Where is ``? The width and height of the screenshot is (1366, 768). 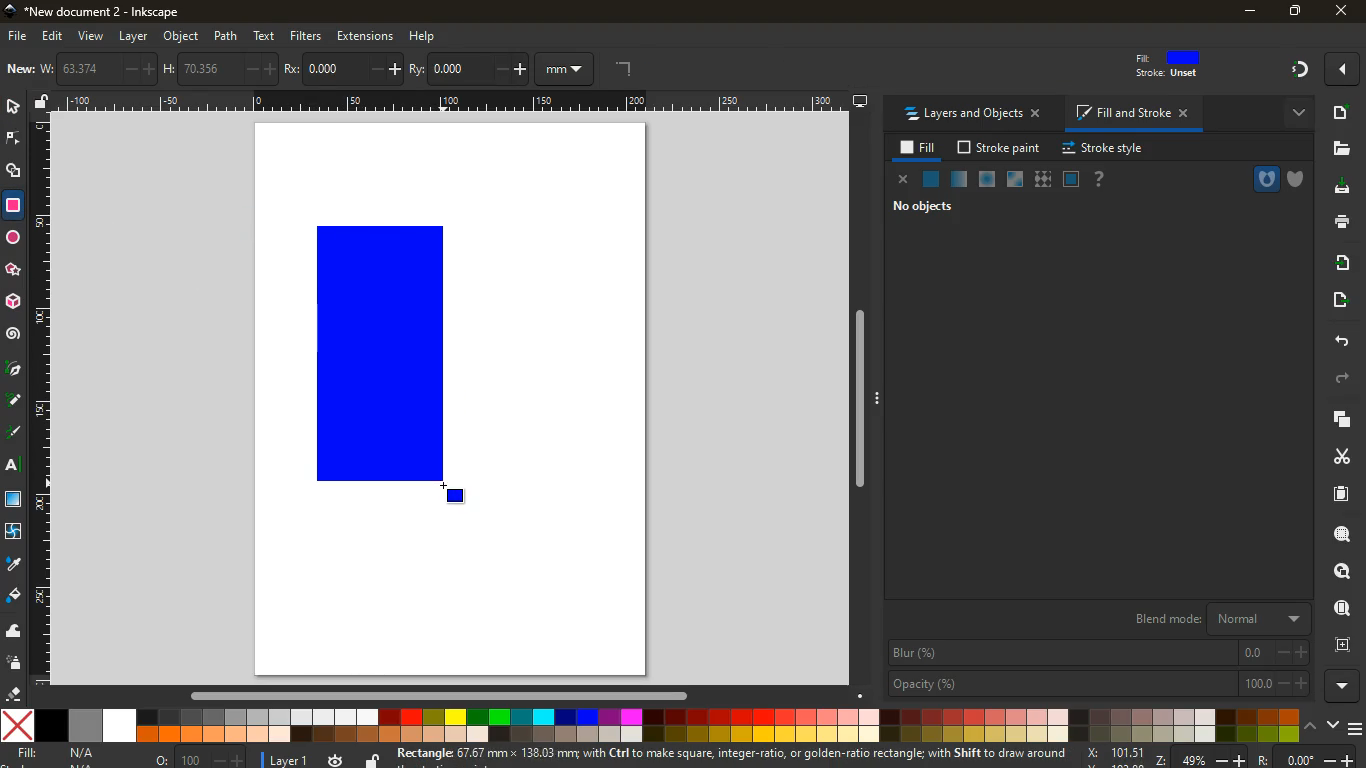
 is located at coordinates (1292, 69).